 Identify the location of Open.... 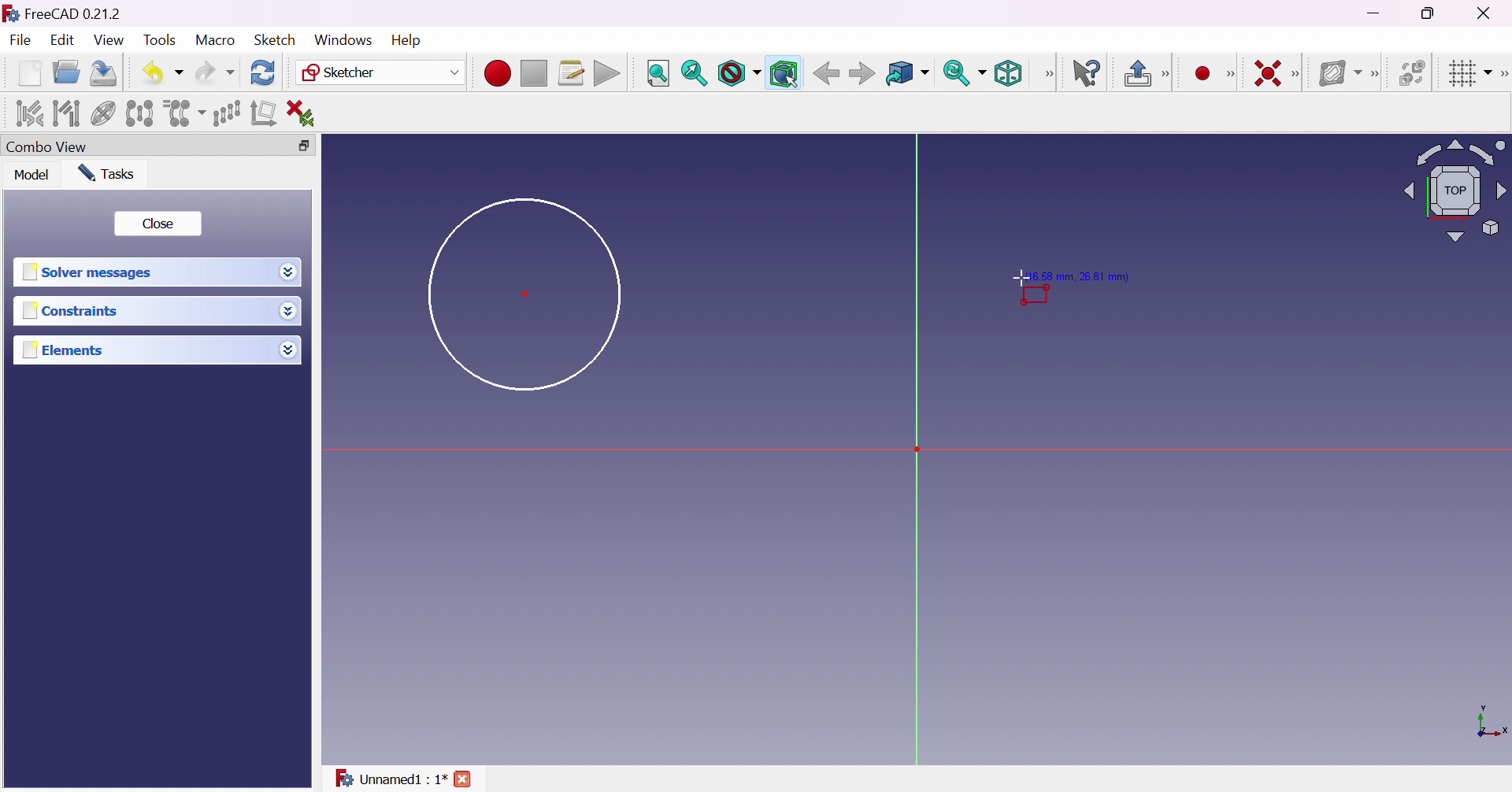
(65, 73).